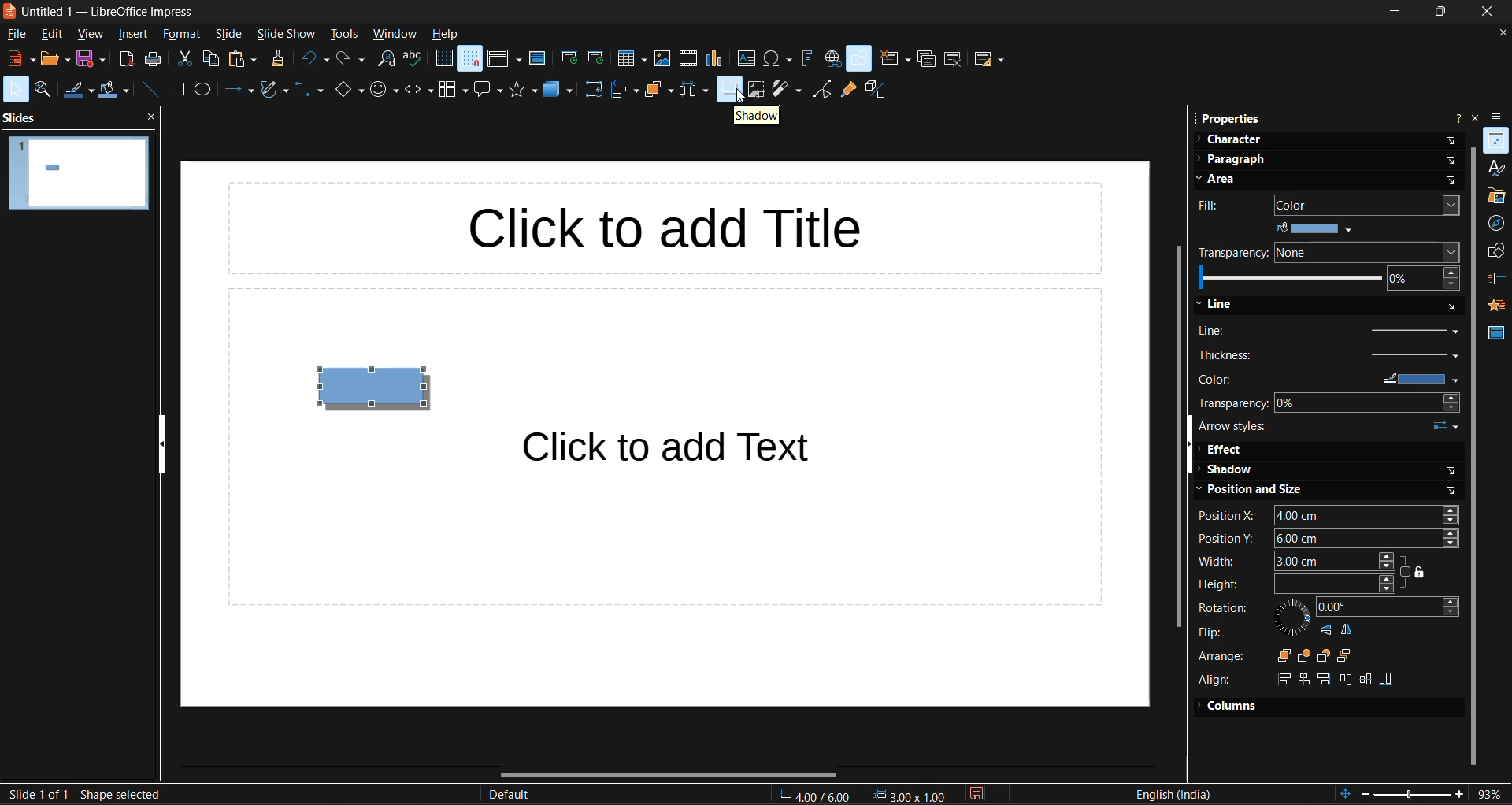  Describe the element at coordinates (593, 89) in the screenshot. I see `rotate` at that location.